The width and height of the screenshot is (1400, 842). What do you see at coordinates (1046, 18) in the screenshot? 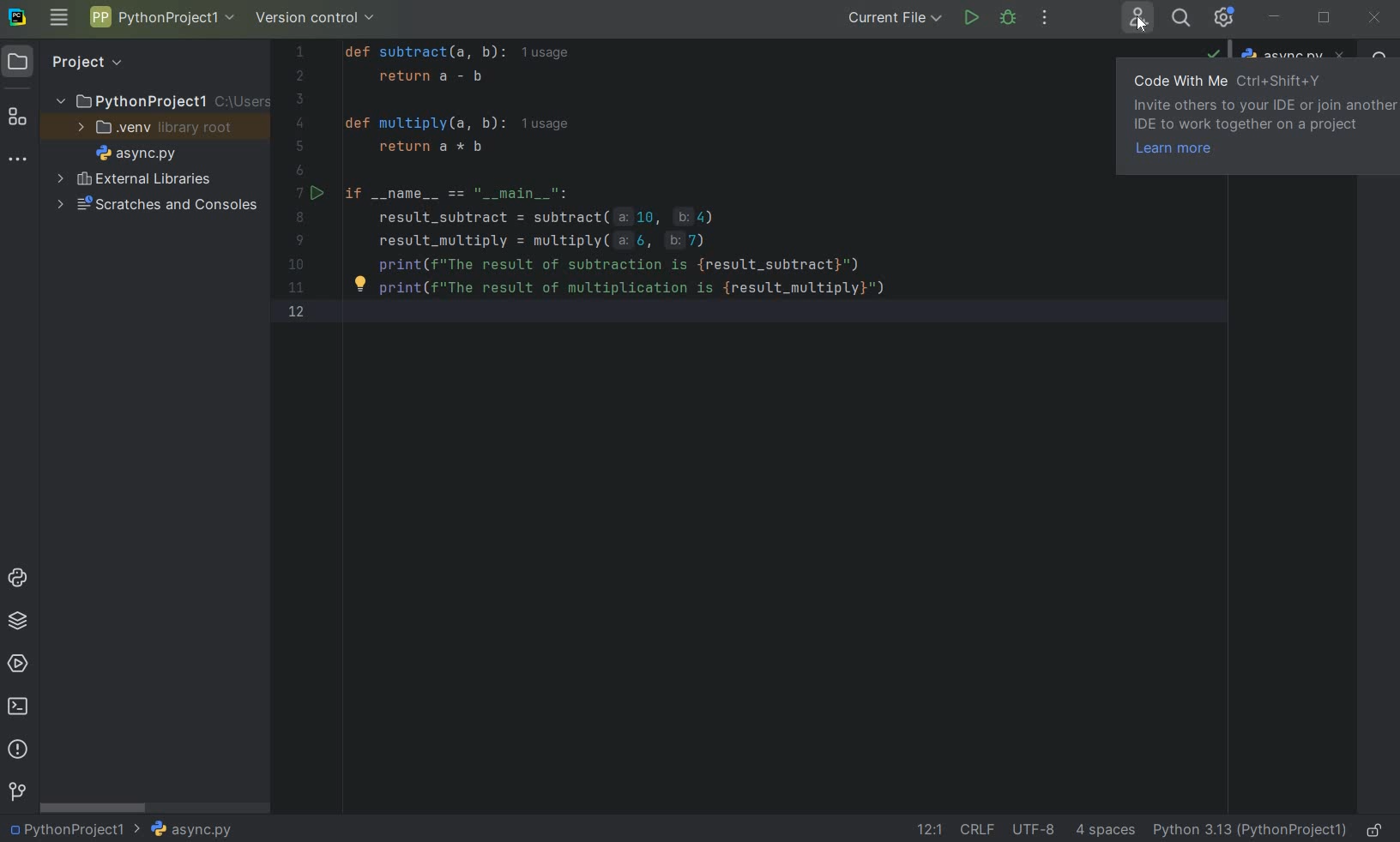
I see `MORE ACTIONS` at bounding box center [1046, 18].